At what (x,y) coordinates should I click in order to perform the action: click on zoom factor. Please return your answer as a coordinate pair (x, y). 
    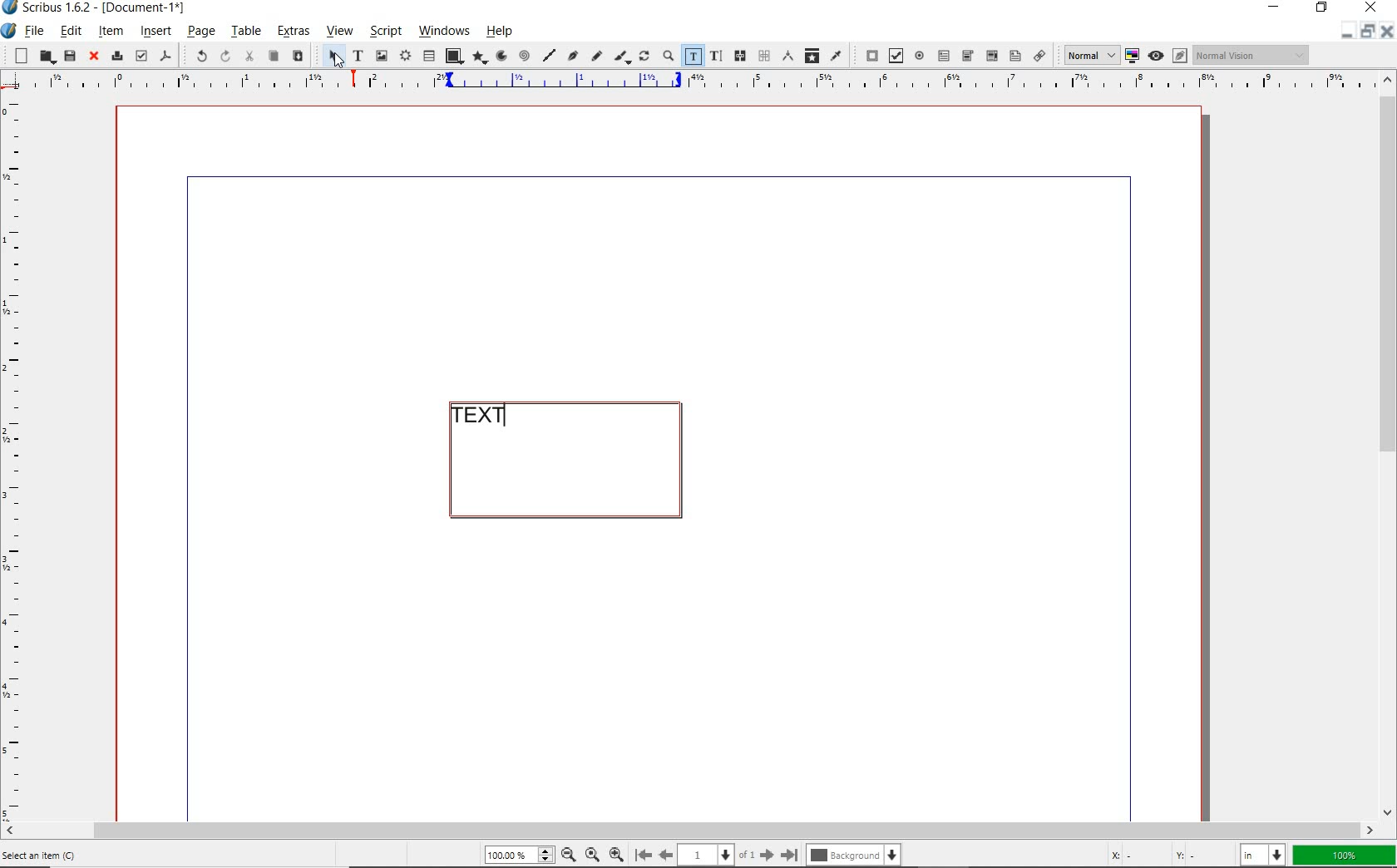
    Looking at the image, I should click on (1345, 855).